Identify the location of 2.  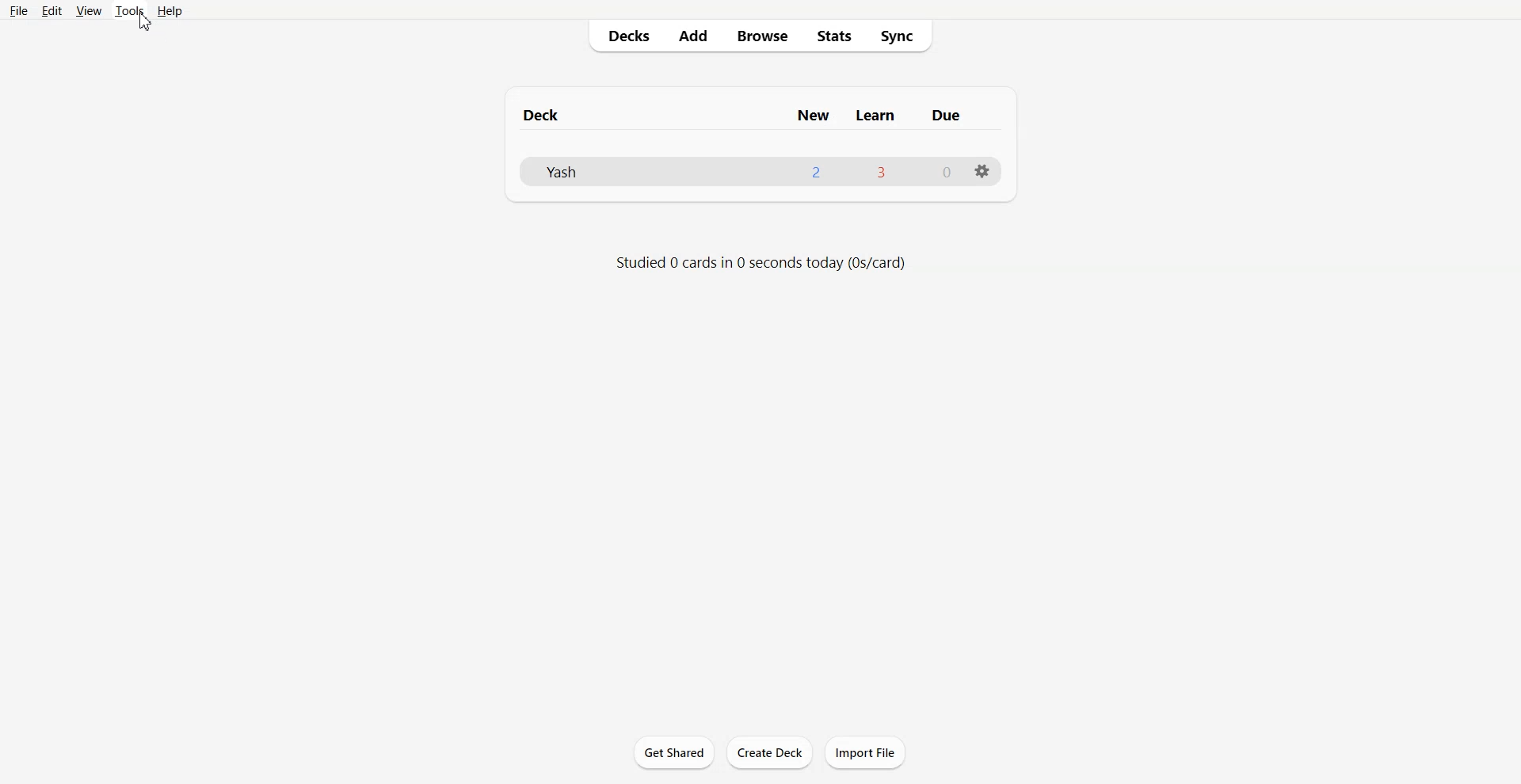
(815, 173).